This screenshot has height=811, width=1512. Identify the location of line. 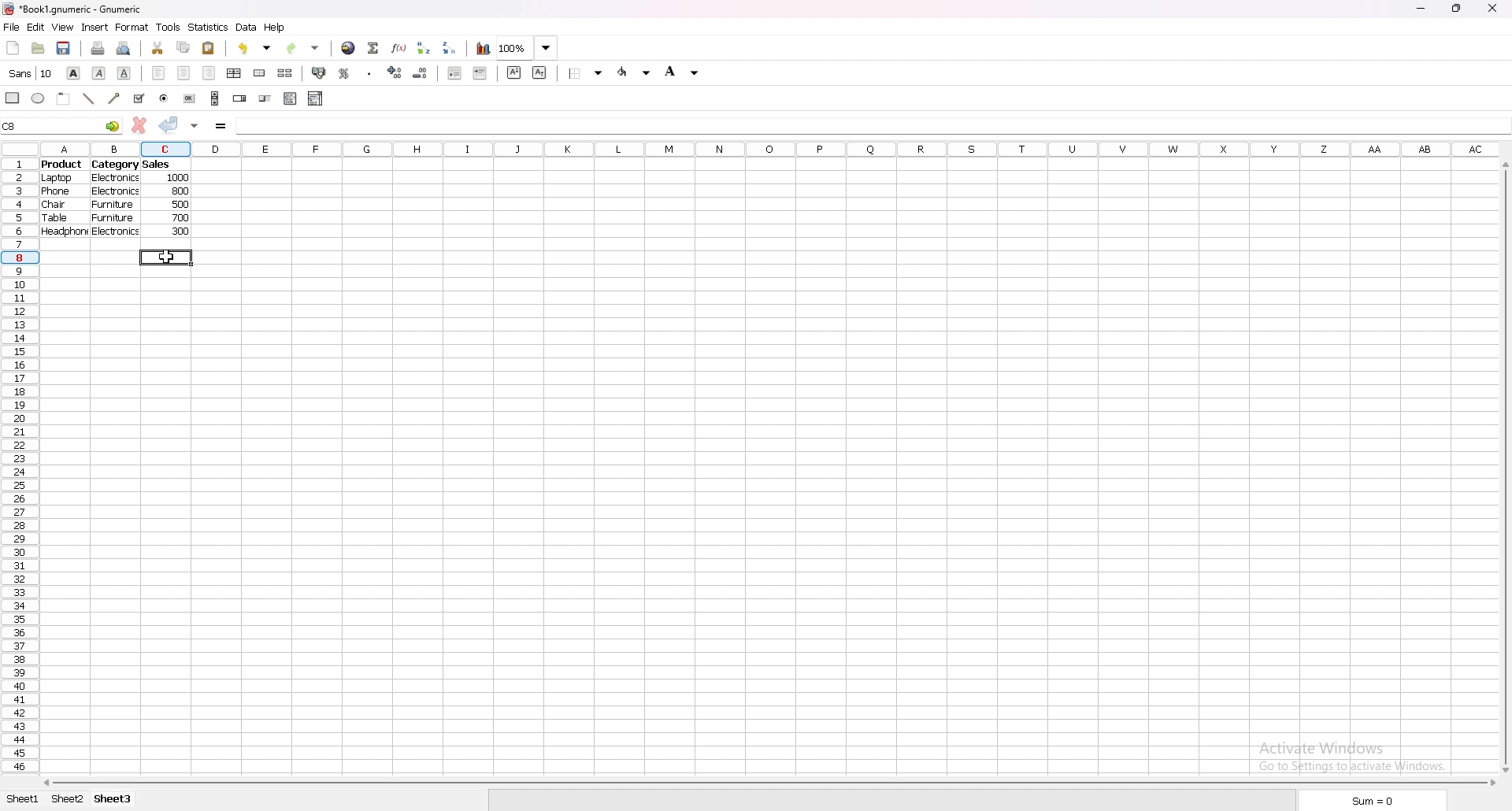
(89, 99).